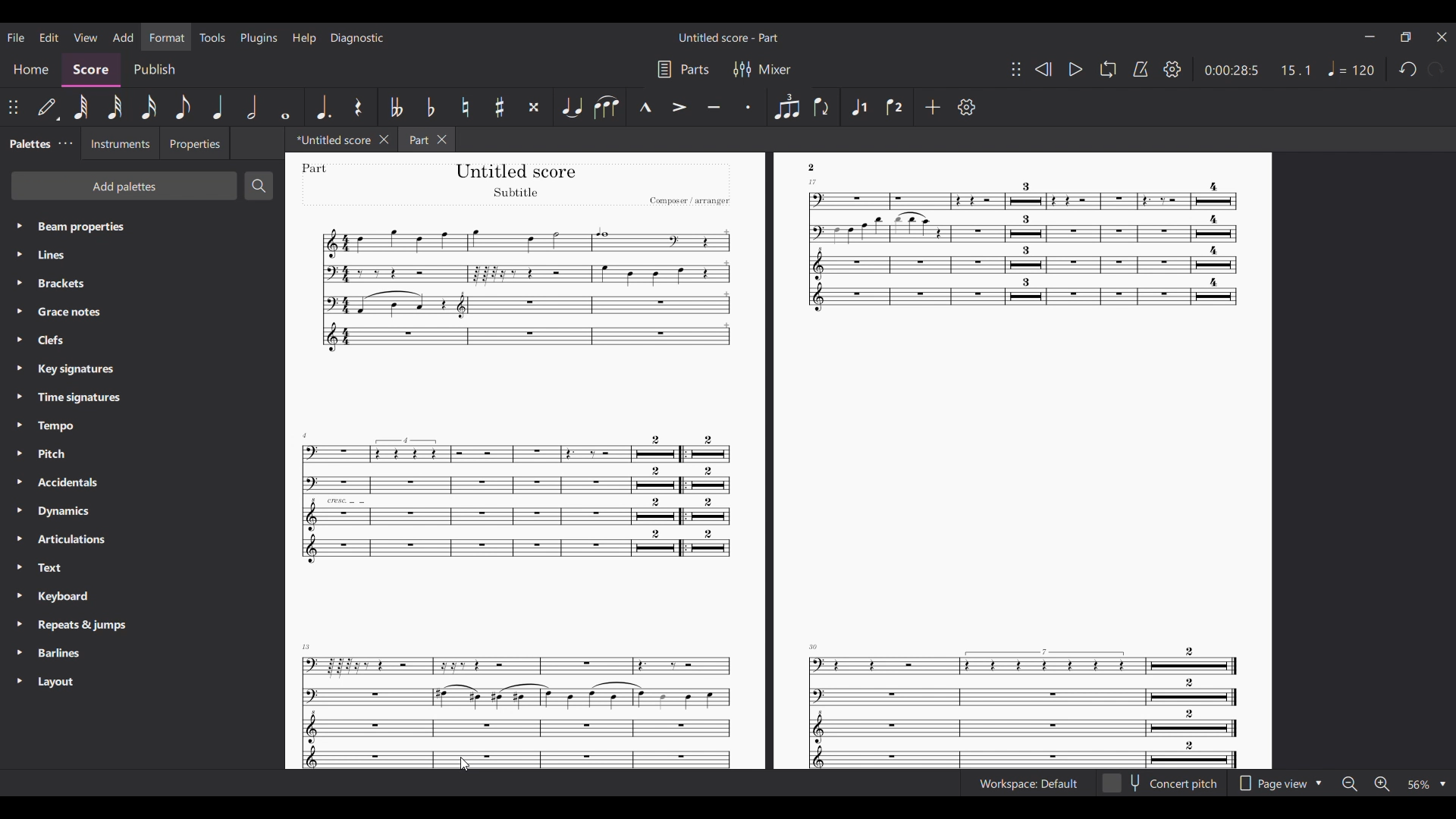 The image size is (1456, 819). Describe the element at coordinates (27, 144) in the screenshot. I see `Palette tab` at that location.